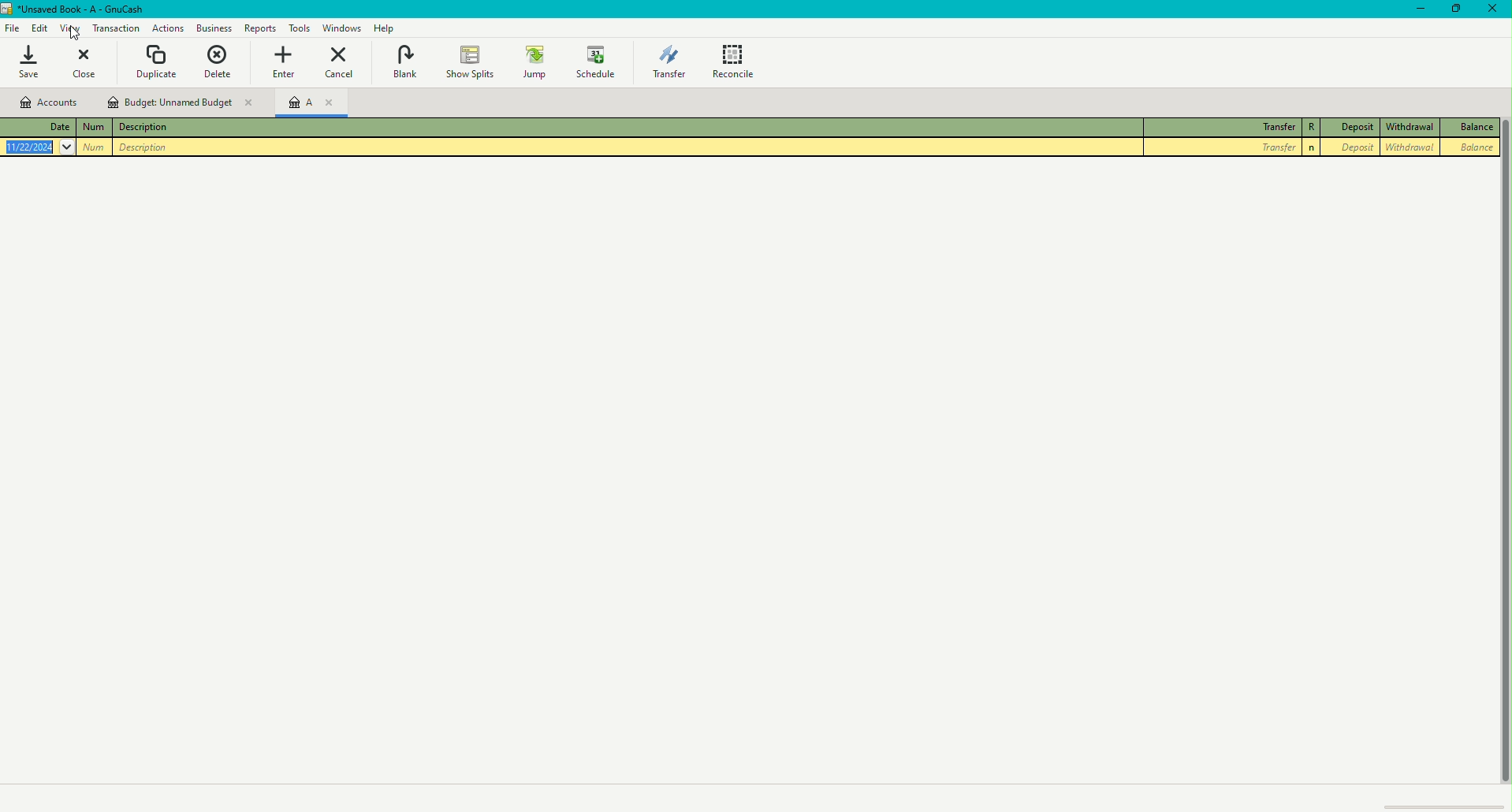 This screenshot has width=1512, height=812. I want to click on Enter, so click(288, 63).